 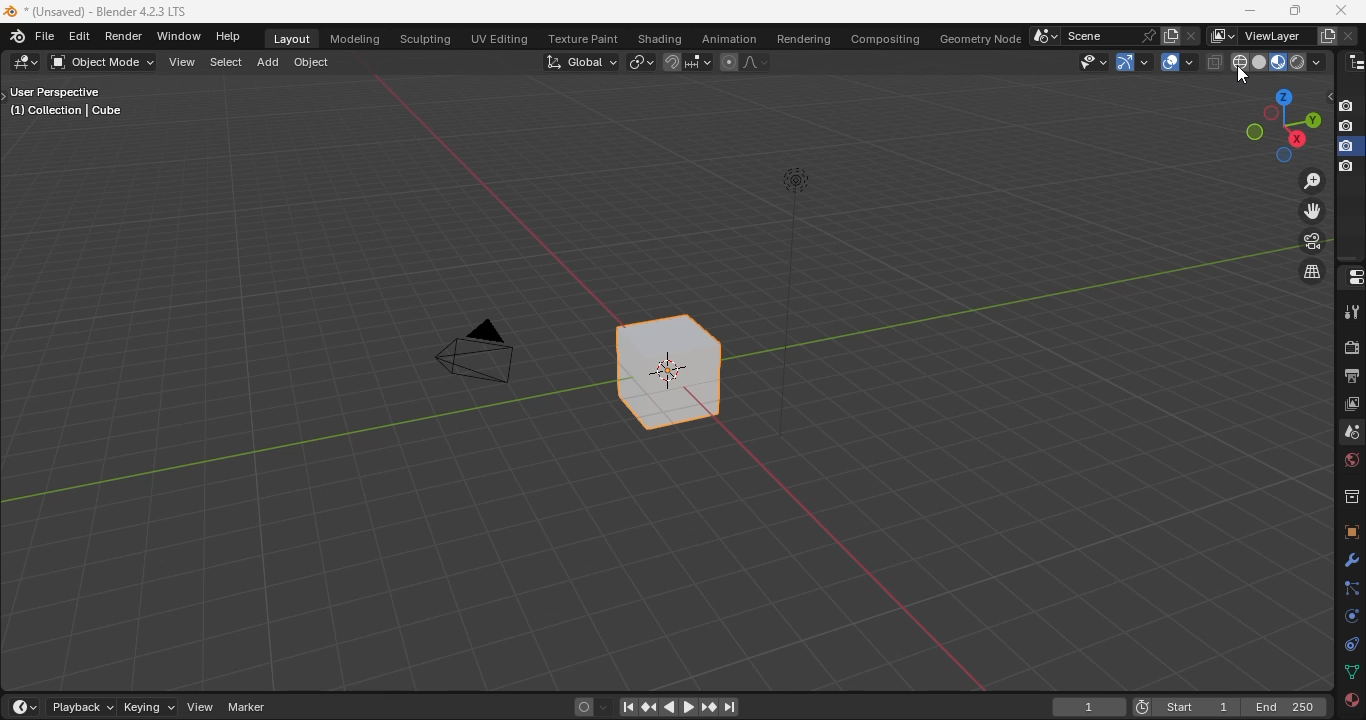 What do you see at coordinates (1148, 35) in the screenshot?
I see `pin scene` at bounding box center [1148, 35].